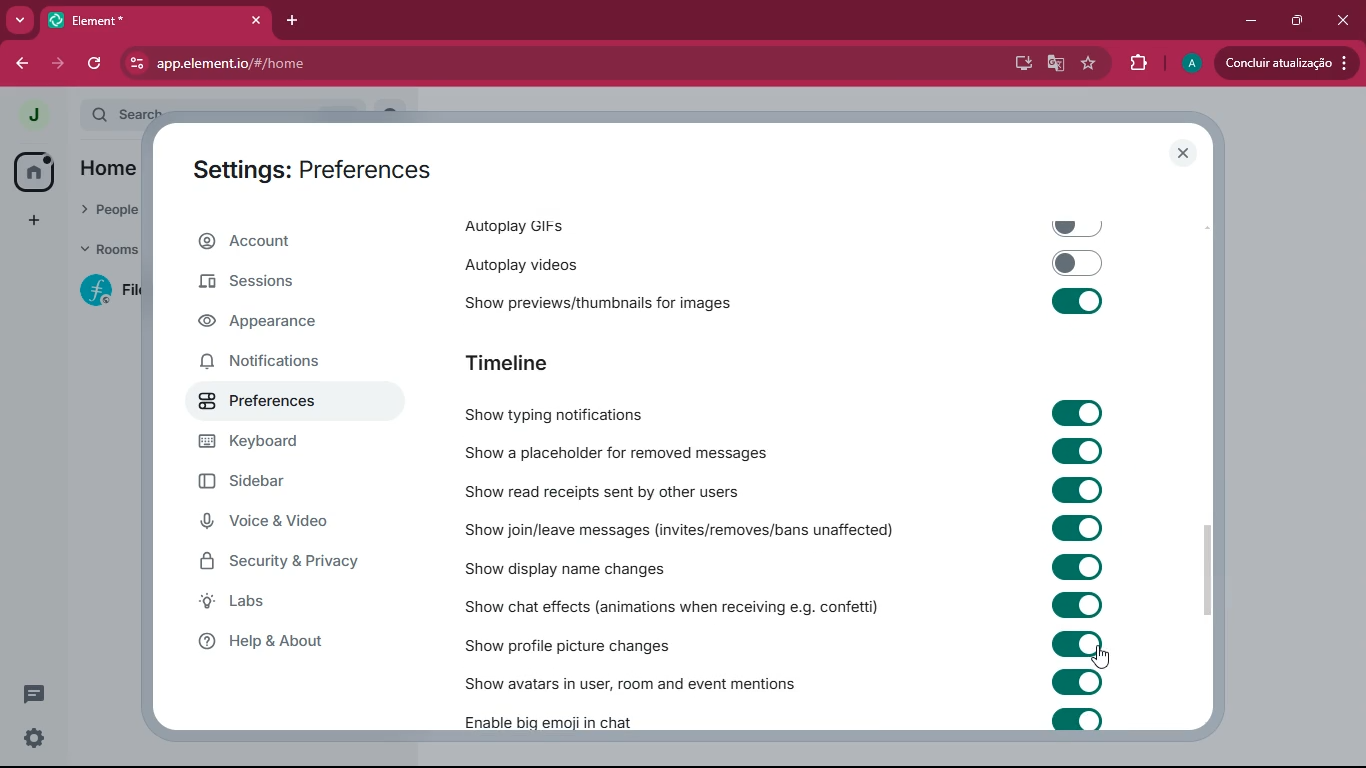  What do you see at coordinates (30, 224) in the screenshot?
I see `add` at bounding box center [30, 224].